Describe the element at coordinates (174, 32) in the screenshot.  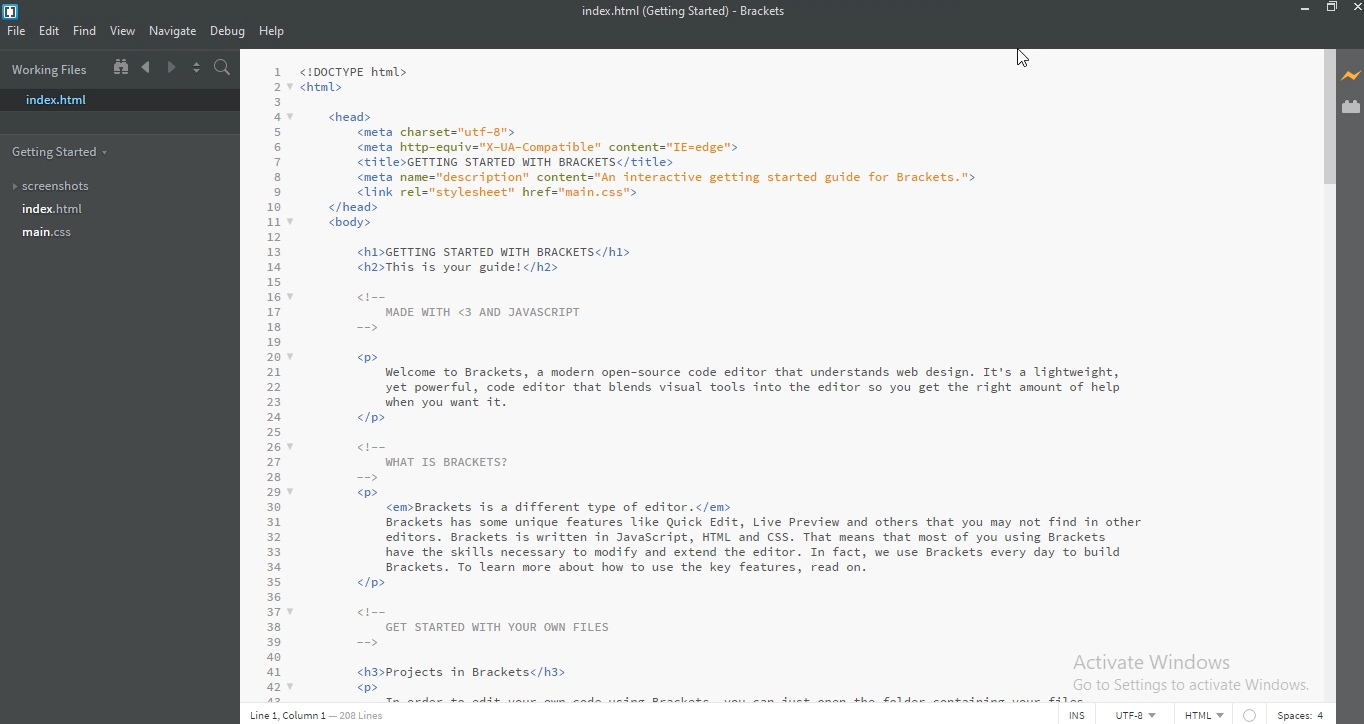
I see `navigate` at that location.